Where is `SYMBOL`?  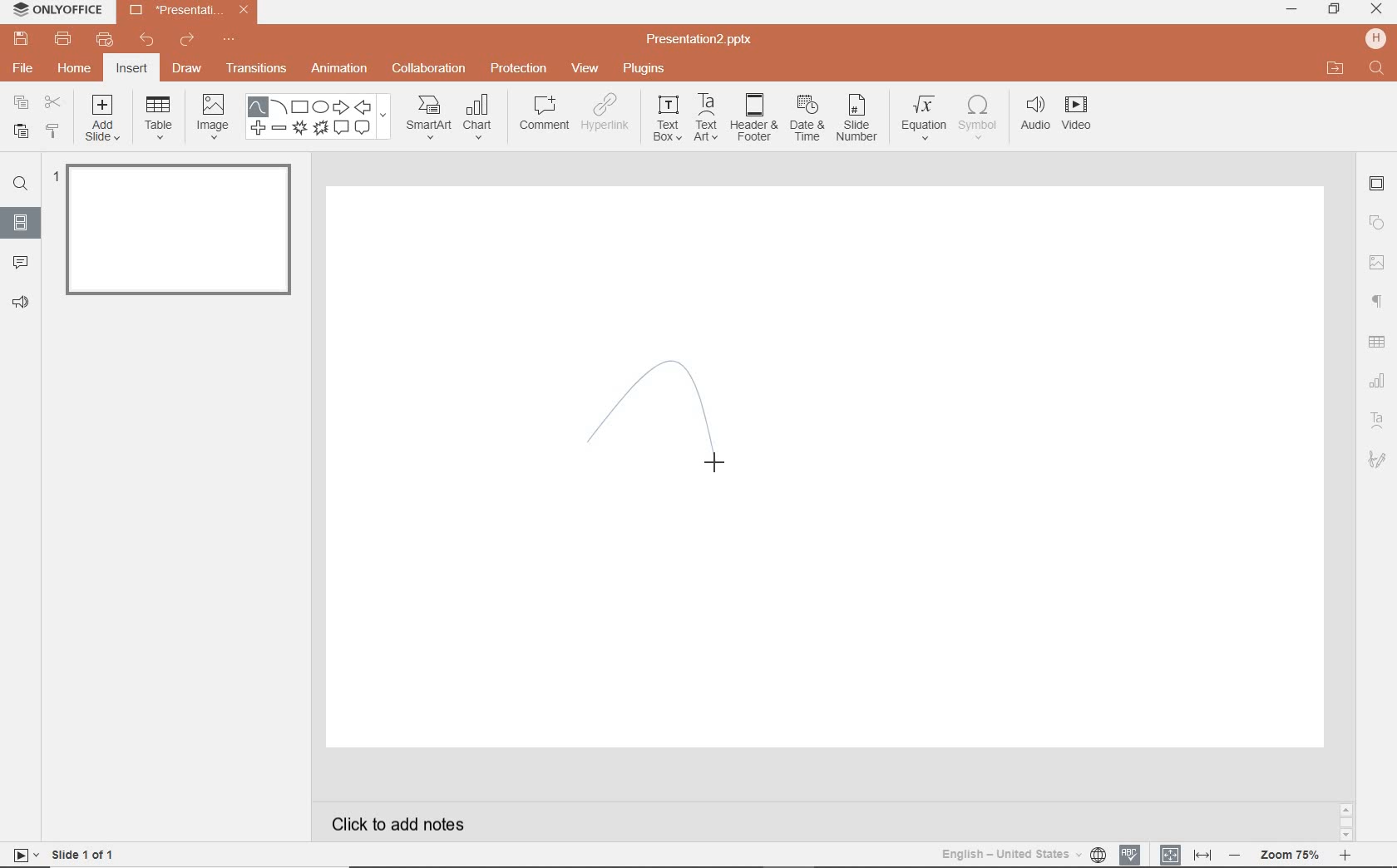 SYMBOL is located at coordinates (978, 117).